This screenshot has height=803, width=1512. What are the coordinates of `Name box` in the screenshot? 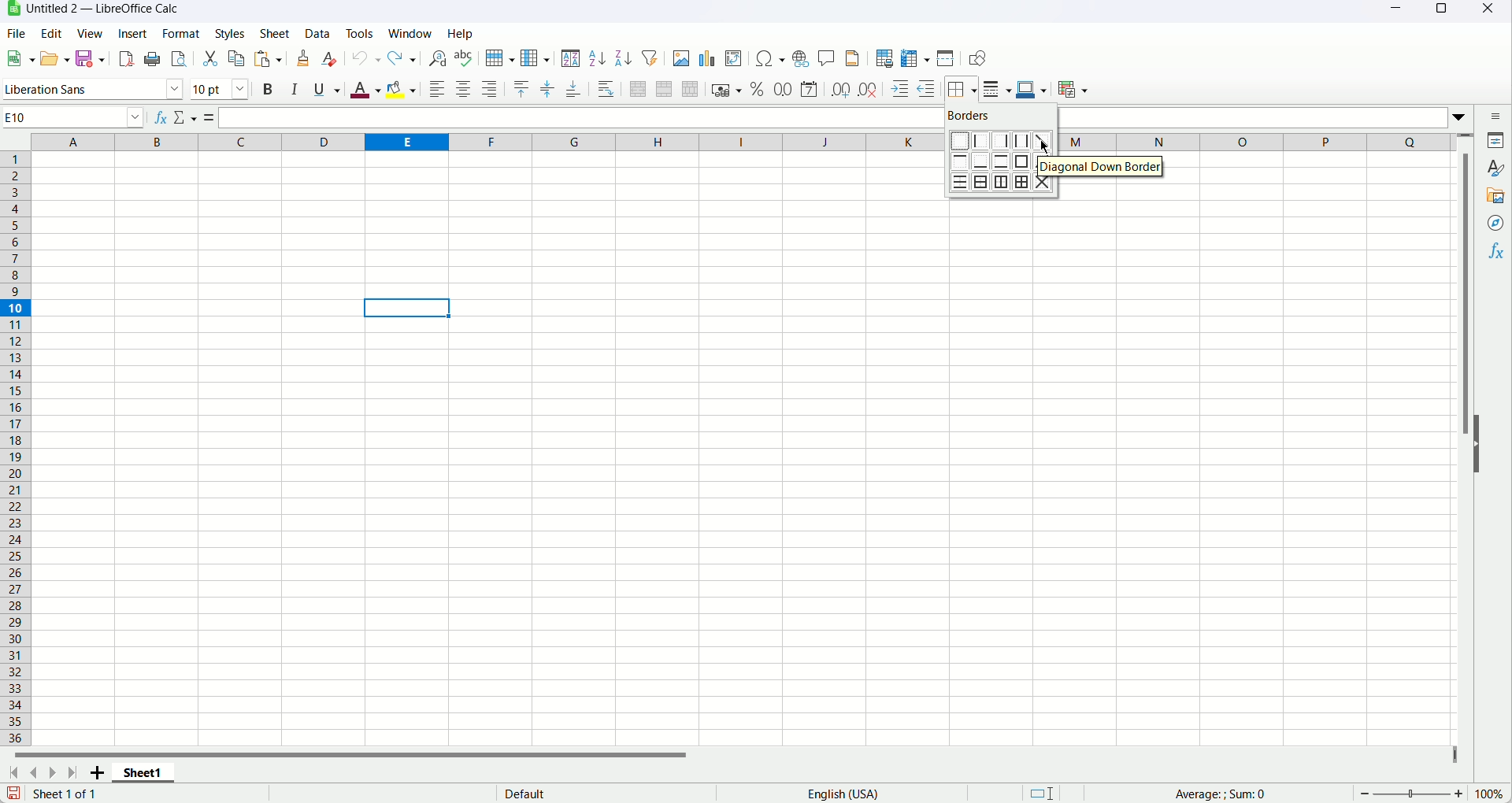 It's located at (75, 117).